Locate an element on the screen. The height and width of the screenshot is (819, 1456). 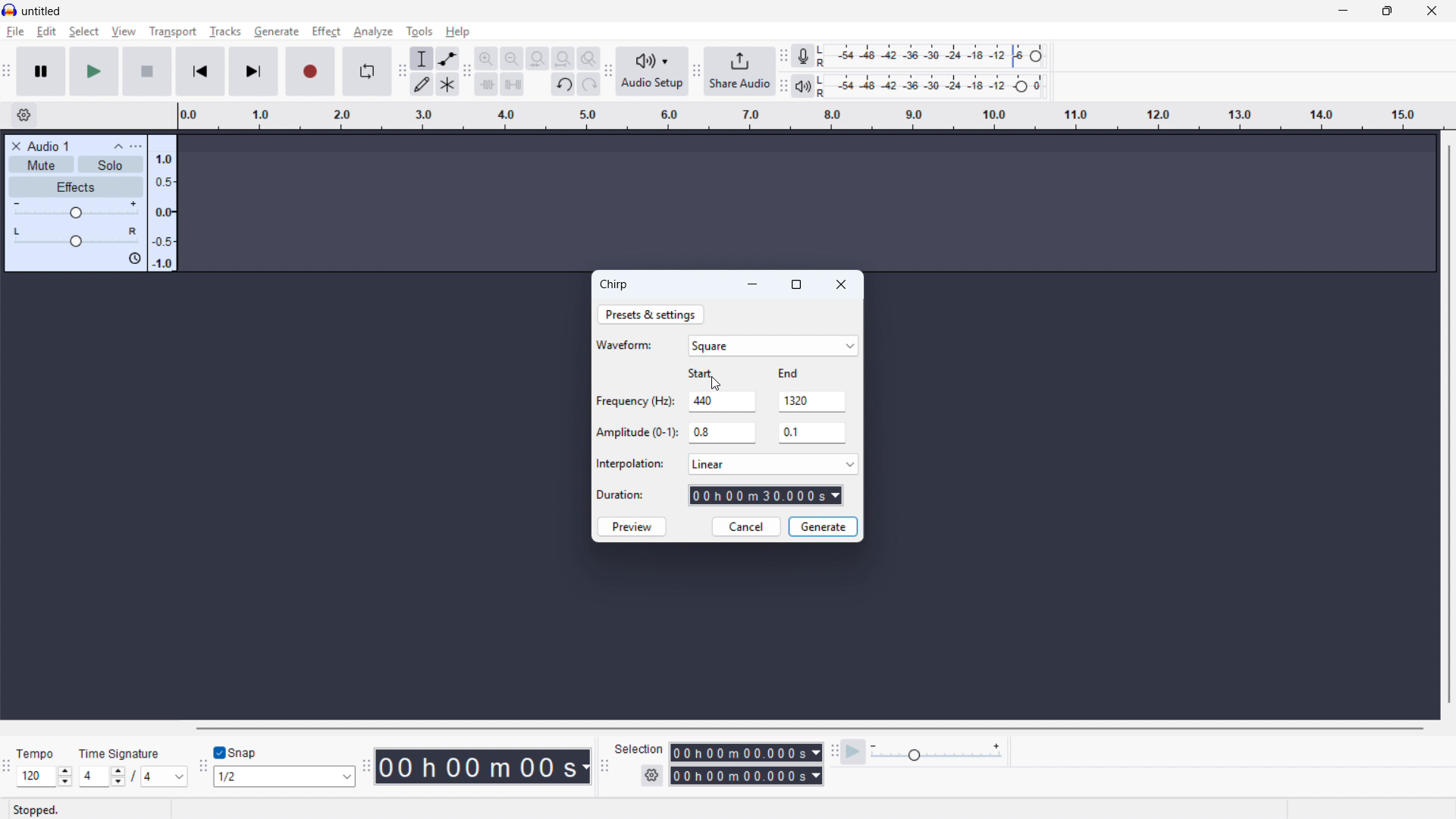
Ending amplitude  is located at coordinates (811, 432).